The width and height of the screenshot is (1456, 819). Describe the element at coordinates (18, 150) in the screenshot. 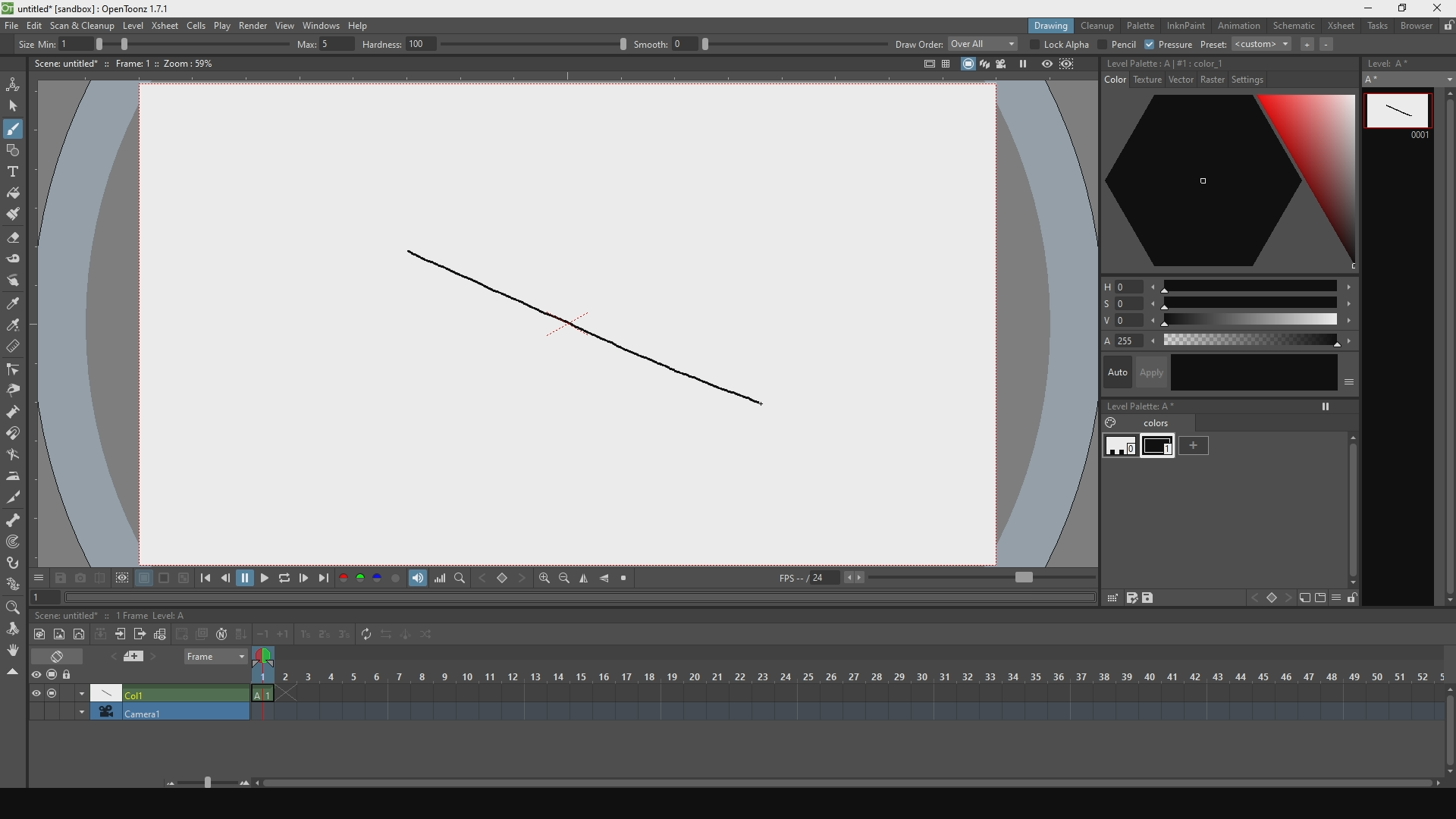

I see `shape` at that location.